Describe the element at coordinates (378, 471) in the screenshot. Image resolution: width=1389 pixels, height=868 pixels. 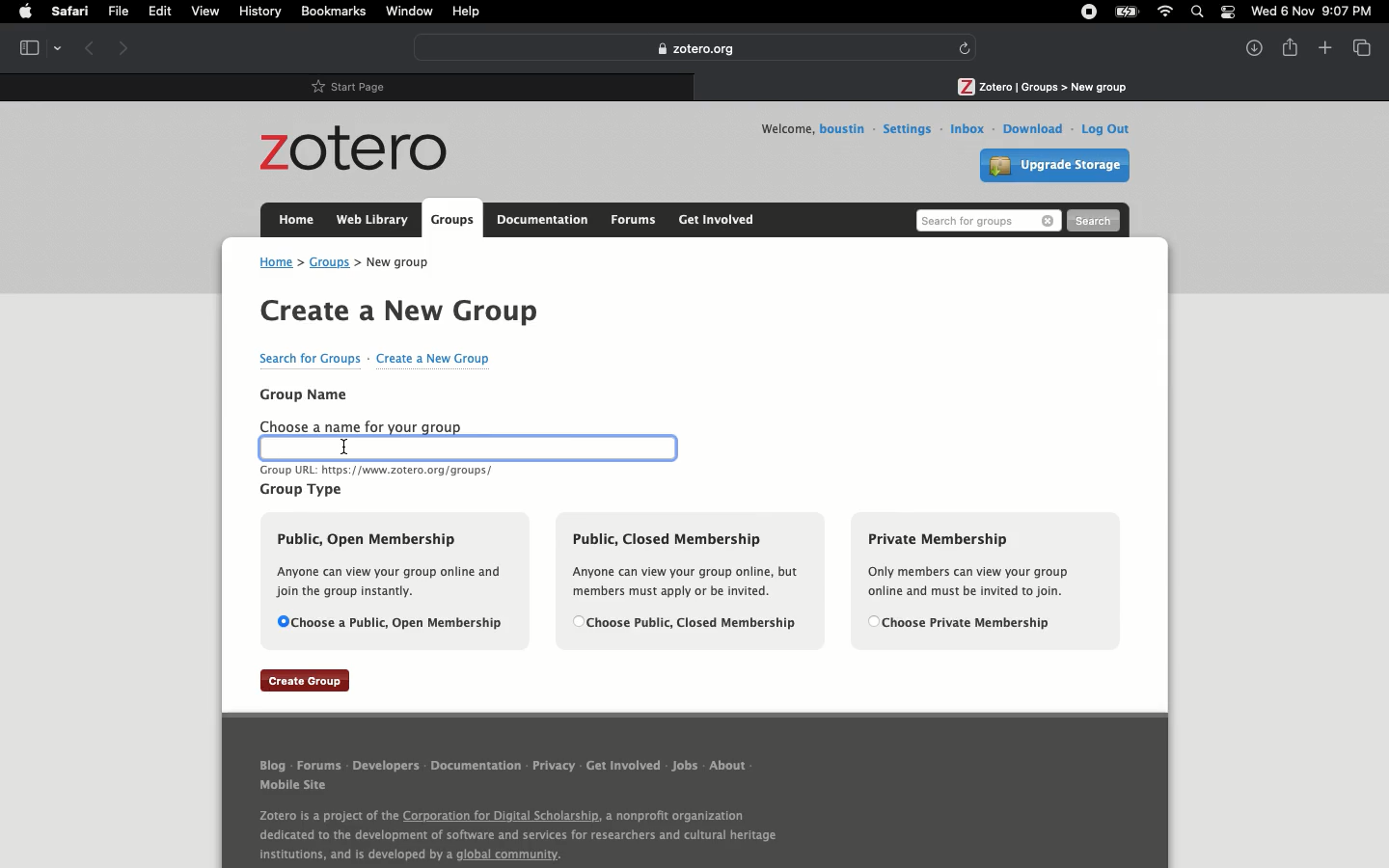
I see ` URL text` at that location.